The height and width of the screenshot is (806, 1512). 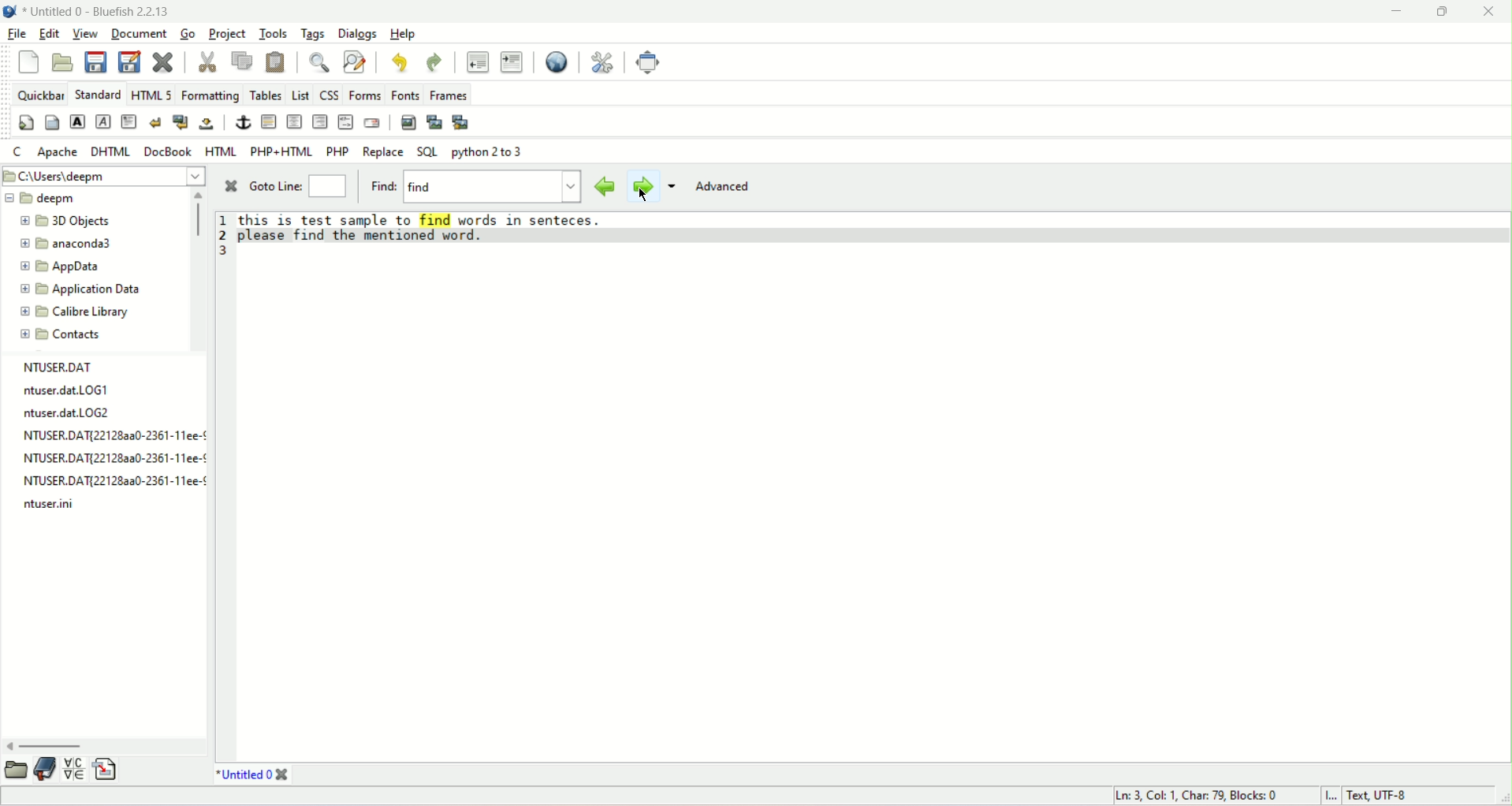 What do you see at coordinates (724, 189) in the screenshot?
I see `advanced` at bounding box center [724, 189].